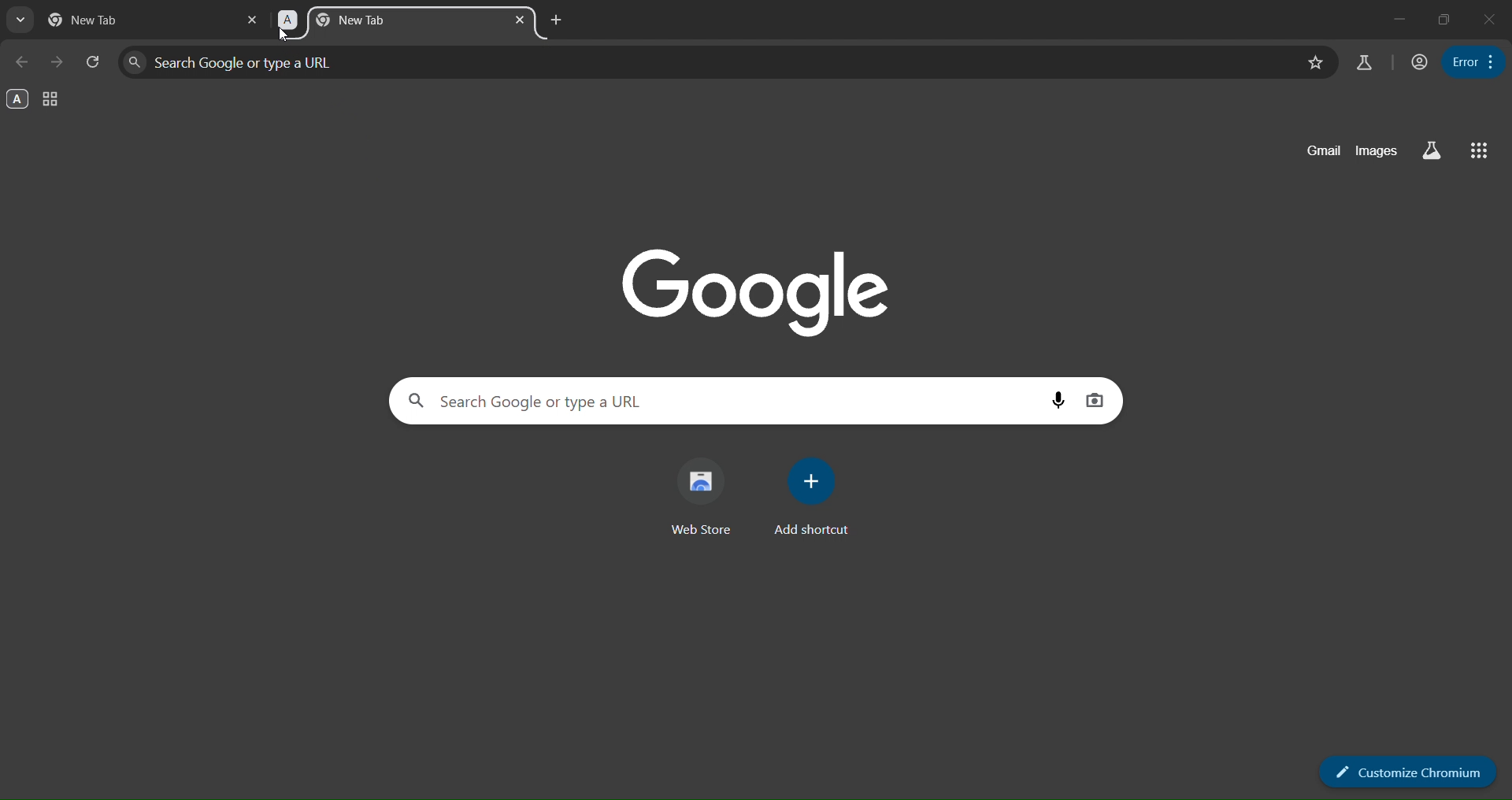  I want to click on tab group, so click(52, 101).